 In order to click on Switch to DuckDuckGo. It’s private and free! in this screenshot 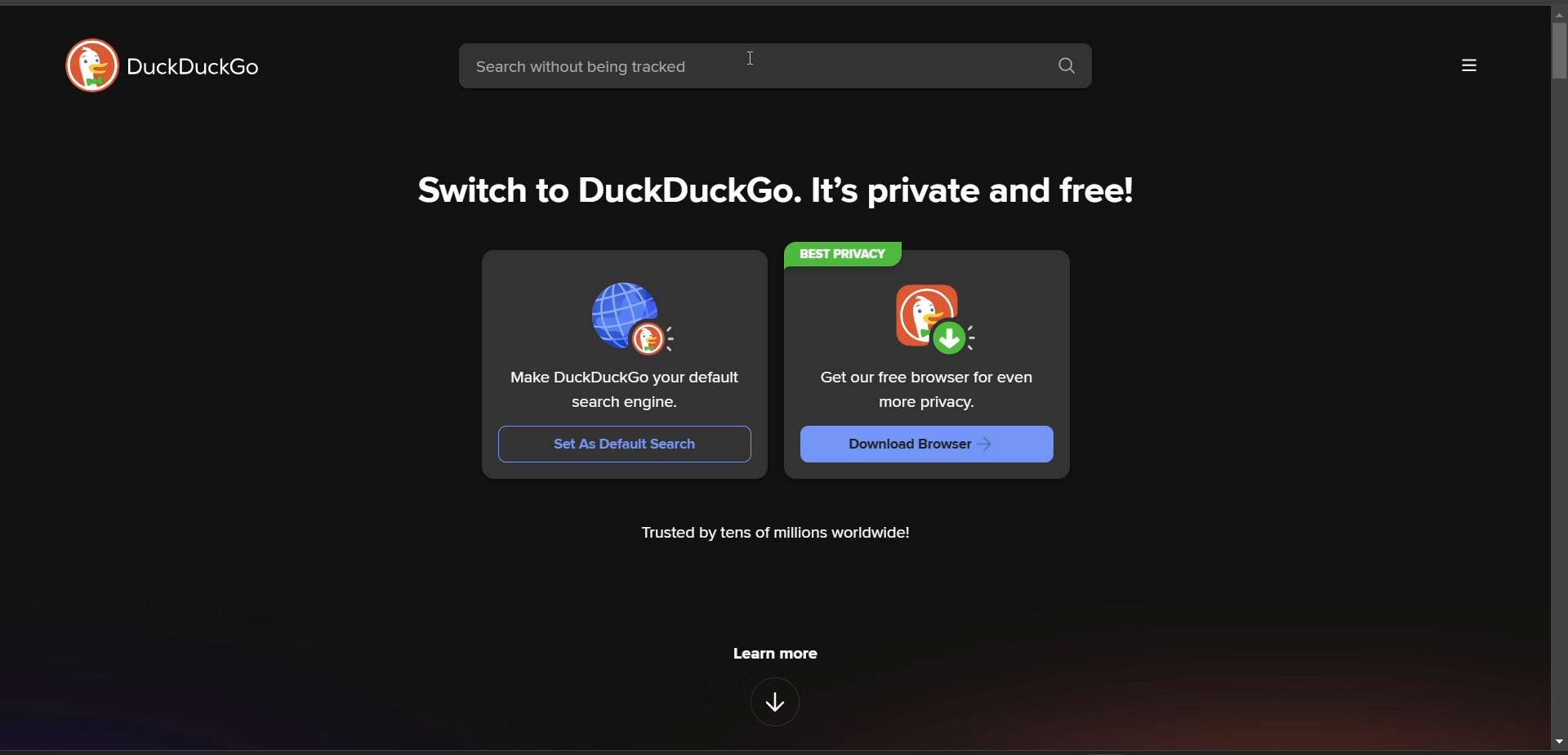, I will do `click(781, 193)`.